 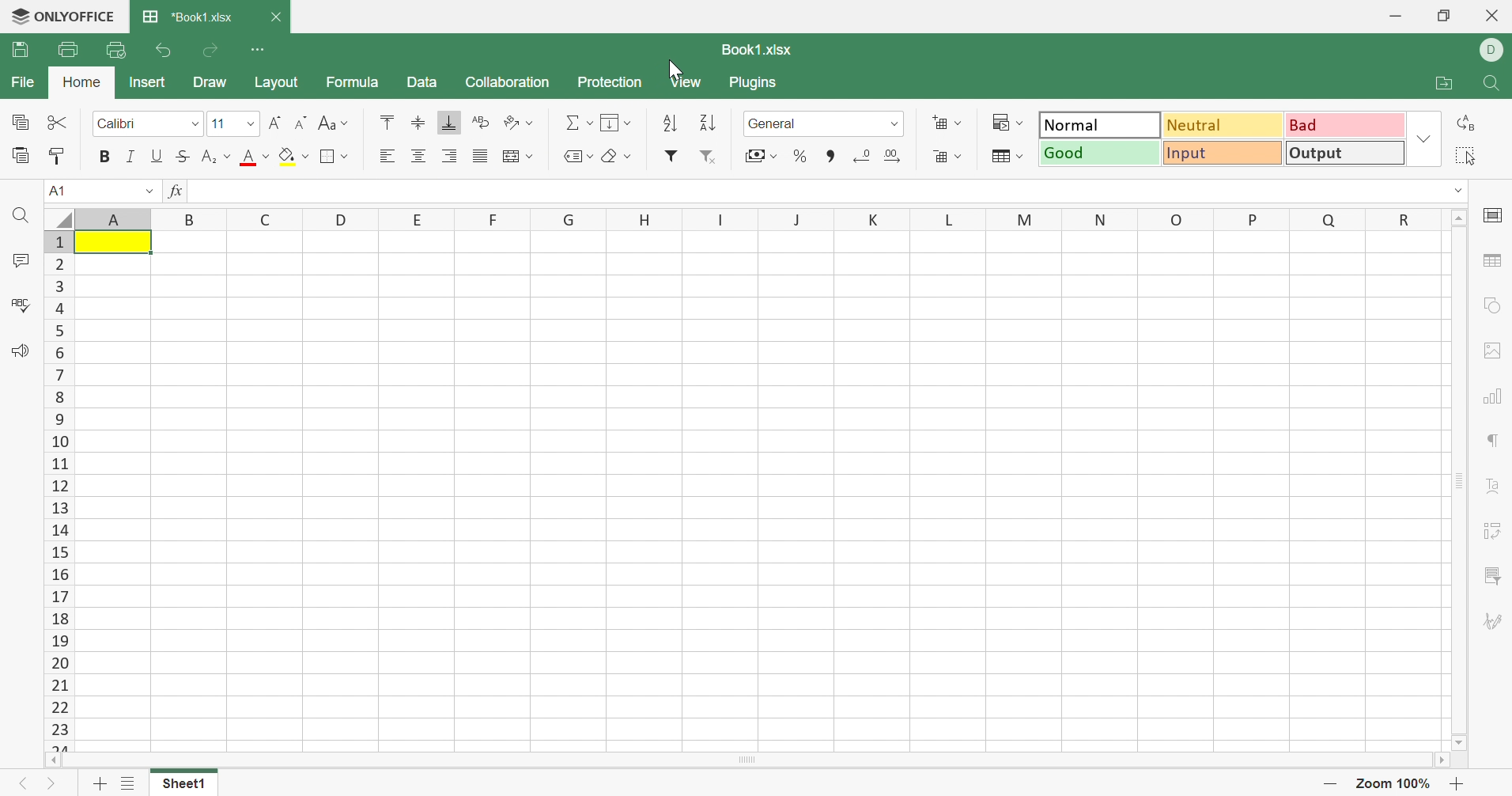 I want to click on Scroll Left, so click(x=54, y=760).